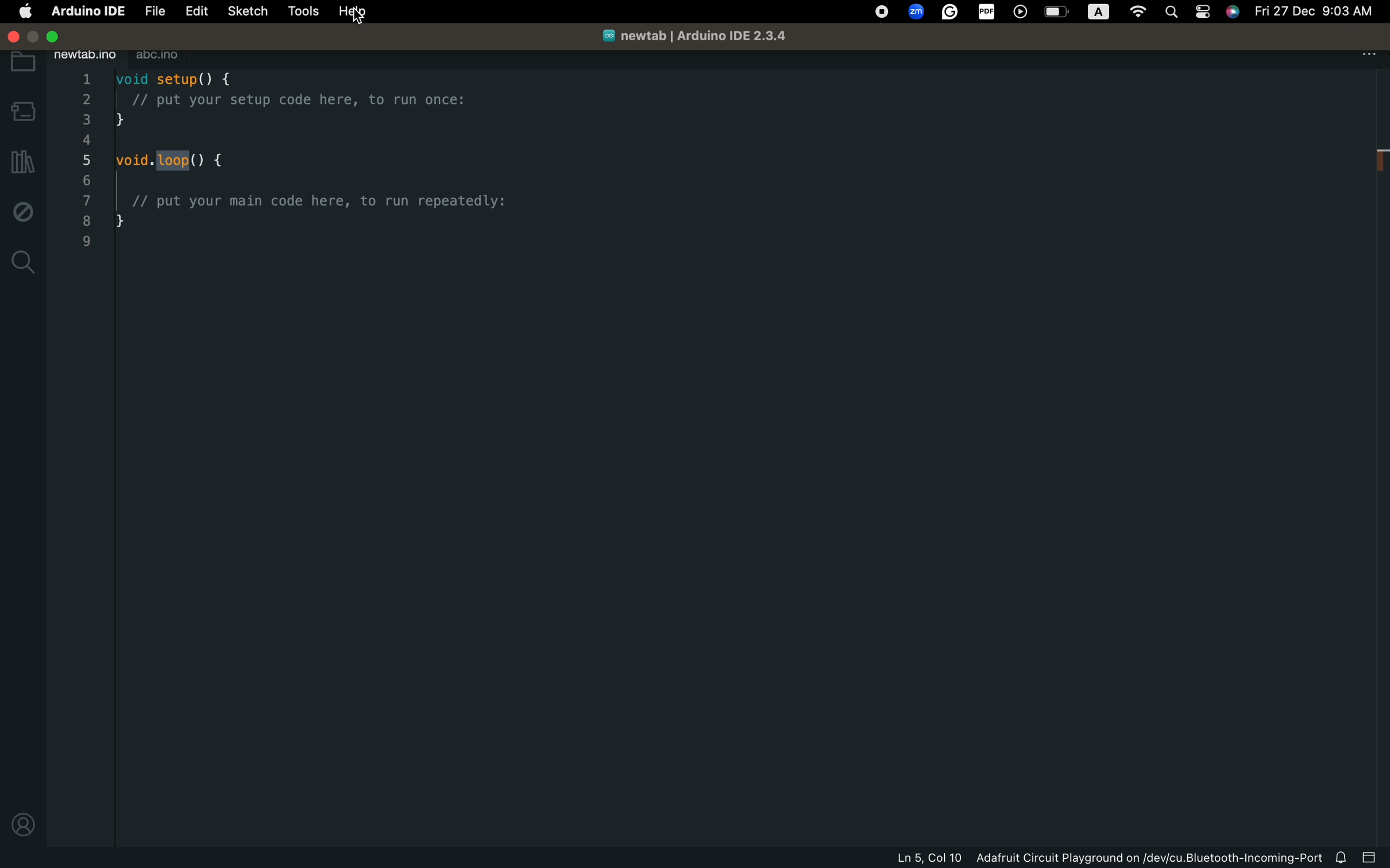 The height and width of the screenshot is (868, 1390). Describe the element at coordinates (948, 12) in the screenshot. I see `Grammerly` at that location.